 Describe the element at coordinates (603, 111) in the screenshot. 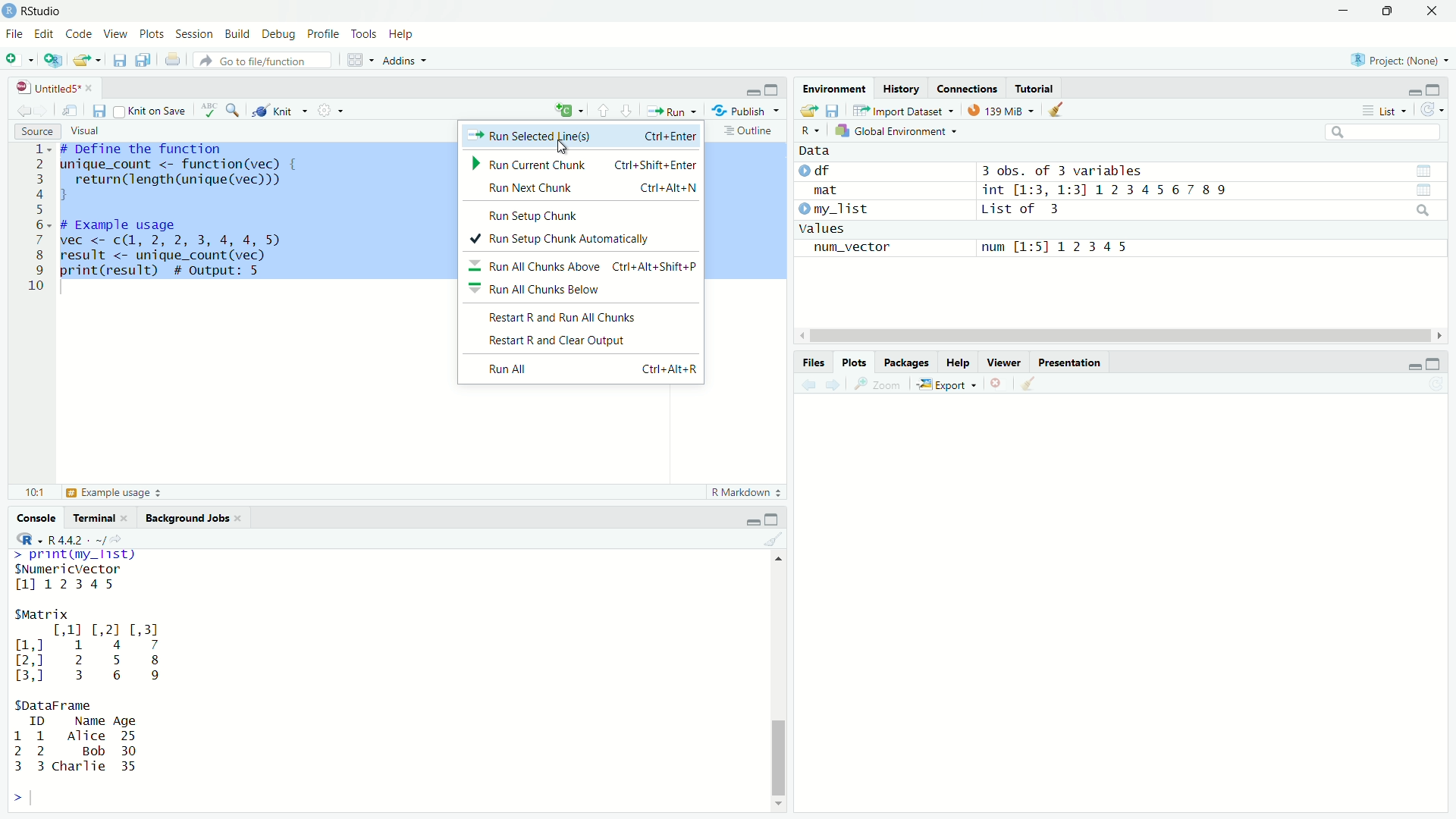

I see `previous section` at that location.